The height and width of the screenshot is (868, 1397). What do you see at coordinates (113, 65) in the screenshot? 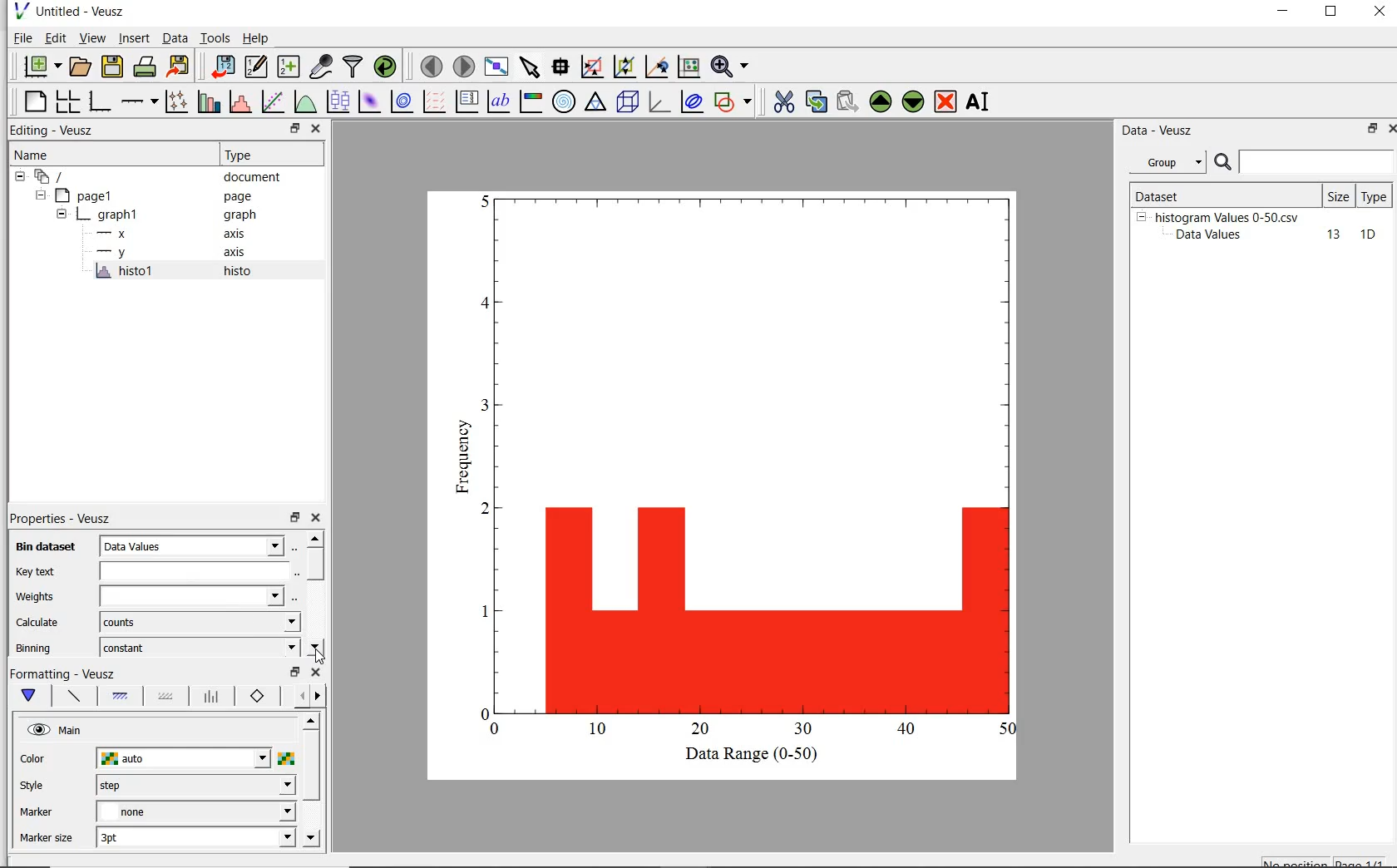
I see `save` at bounding box center [113, 65].